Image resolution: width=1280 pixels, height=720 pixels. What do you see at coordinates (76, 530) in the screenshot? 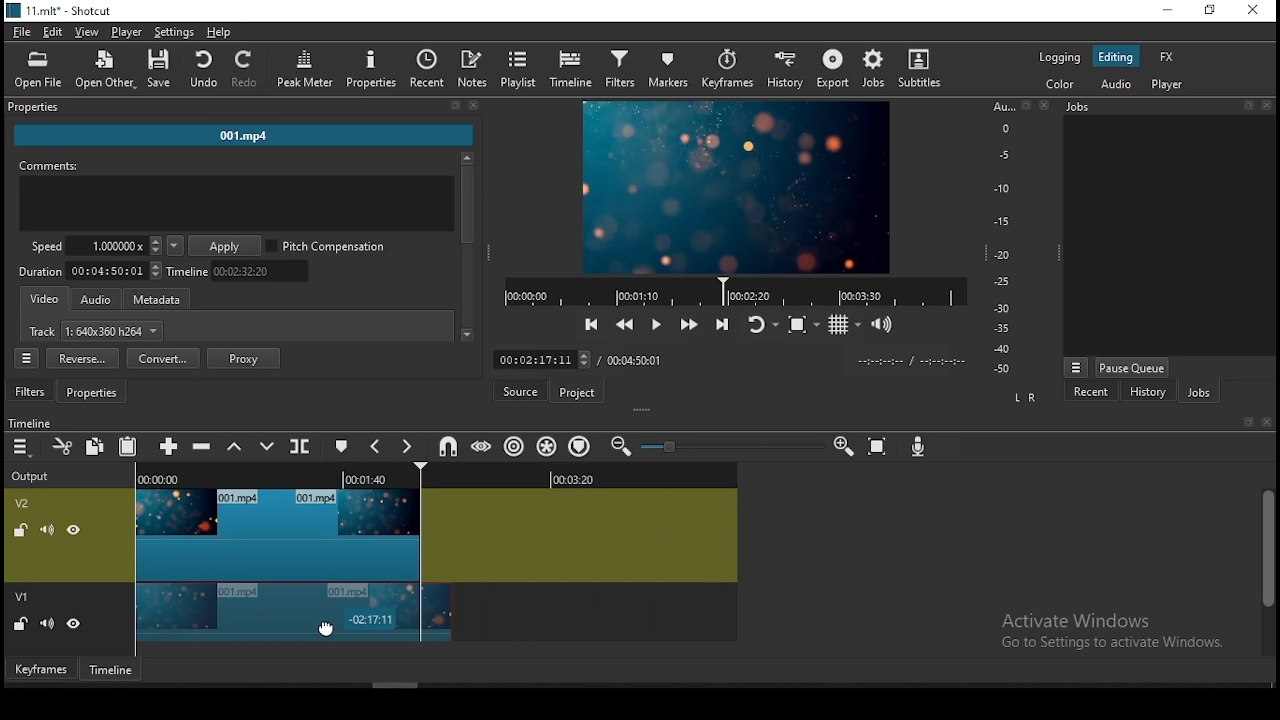
I see `(UN)HIDE` at bounding box center [76, 530].